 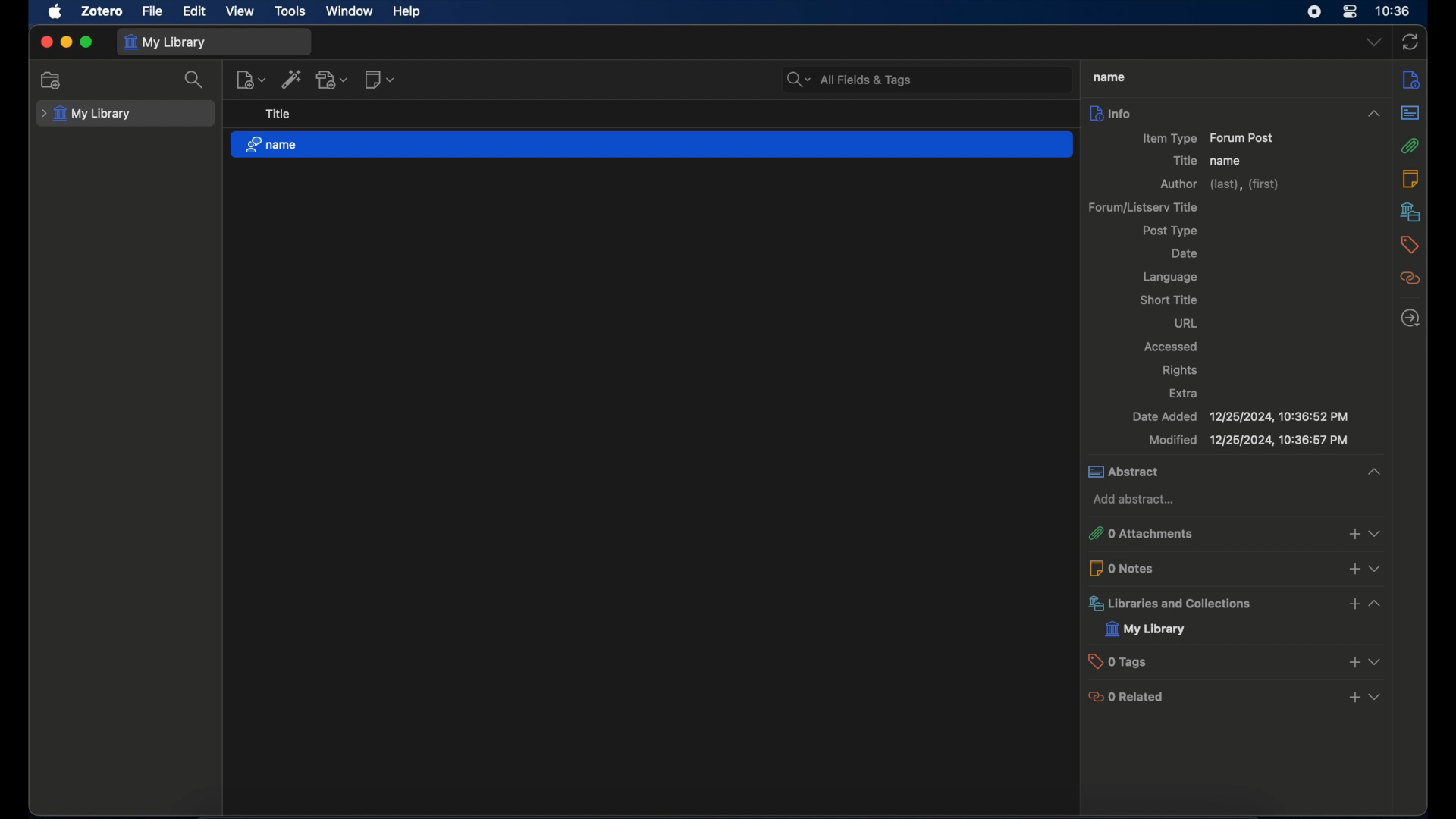 I want to click on short title, so click(x=1169, y=300).